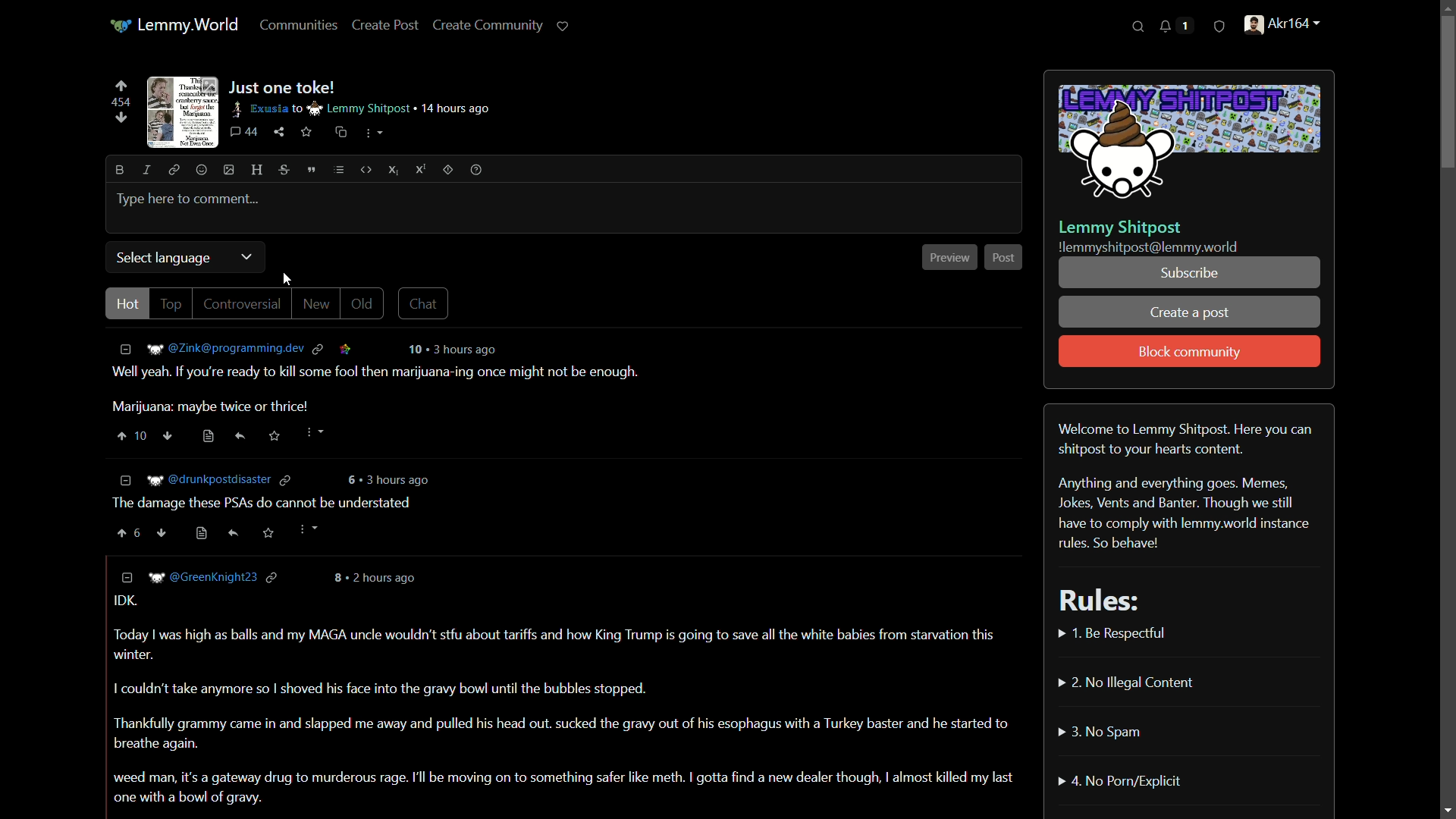 This screenshot has width=1456, height=819. What do you see at coordinates (313, 433) in the screenshot?
I see `more actions` at bounding box center [313, 433].